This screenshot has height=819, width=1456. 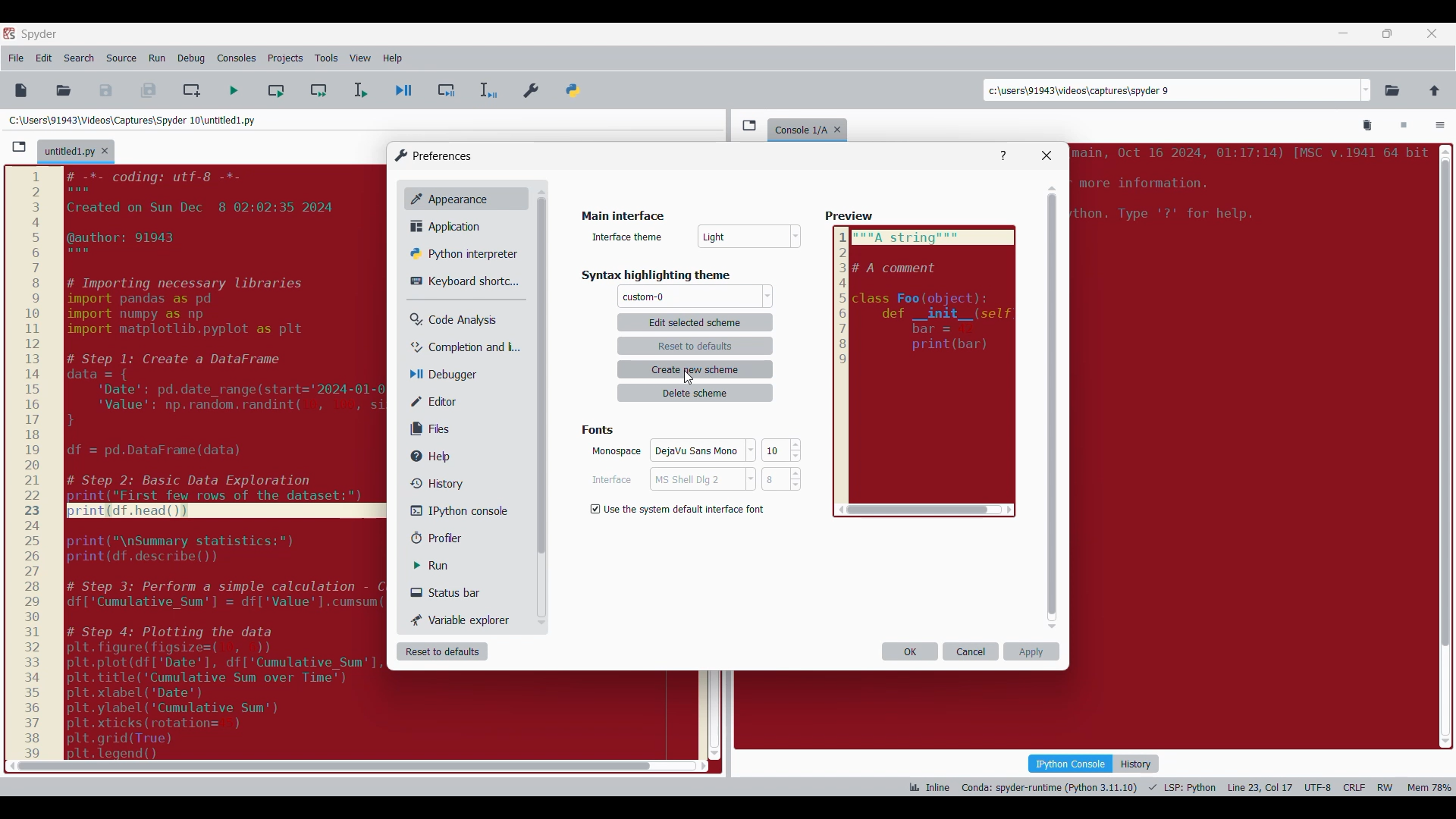 What do you see at coordinates (623, 215) in the screenshot?
I see `Section title` at bounding box center [623, 215].